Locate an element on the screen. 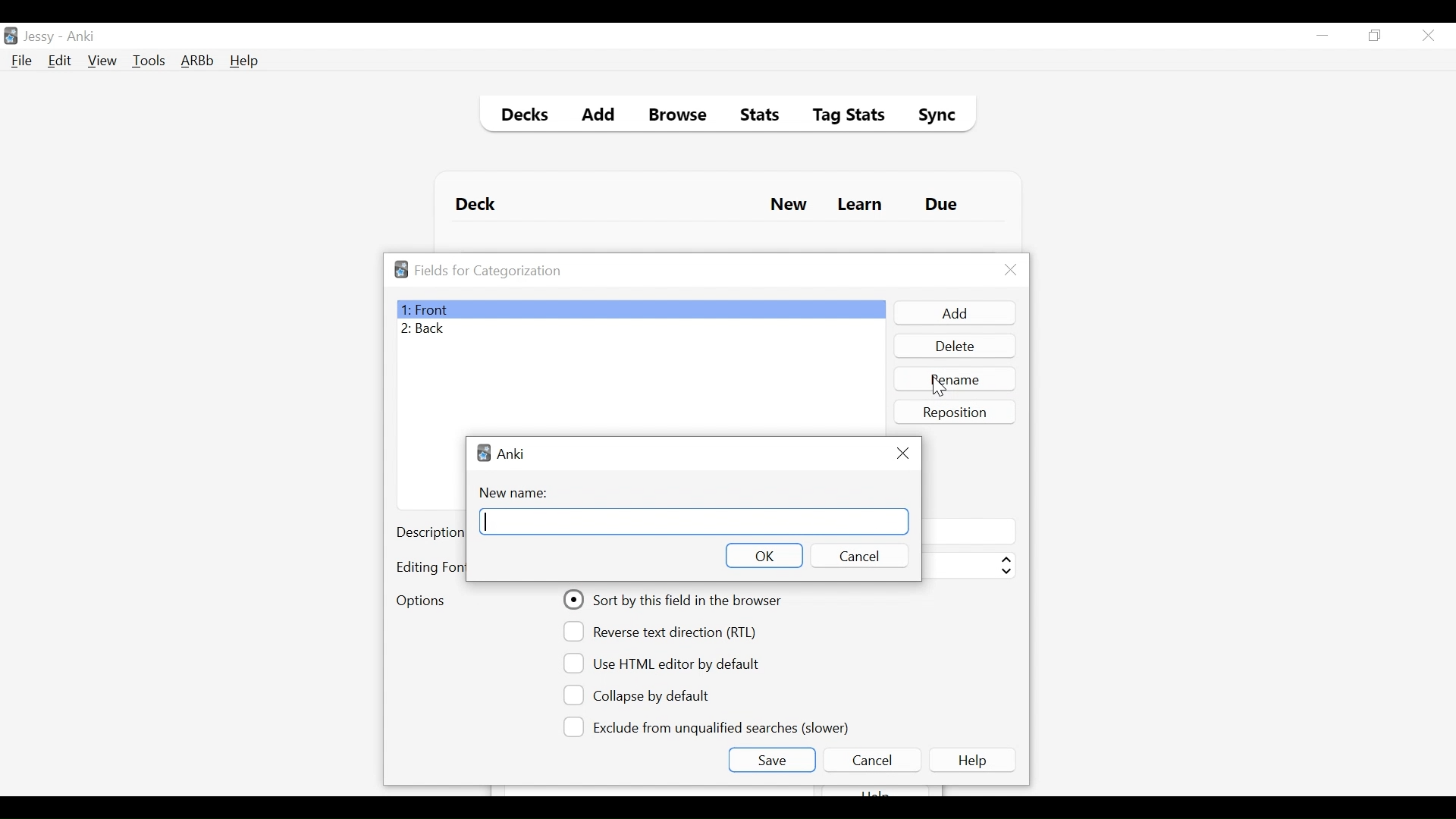 The height and width of the screenshot is (819, 1456). Anki is located at coordinates (81, 36).